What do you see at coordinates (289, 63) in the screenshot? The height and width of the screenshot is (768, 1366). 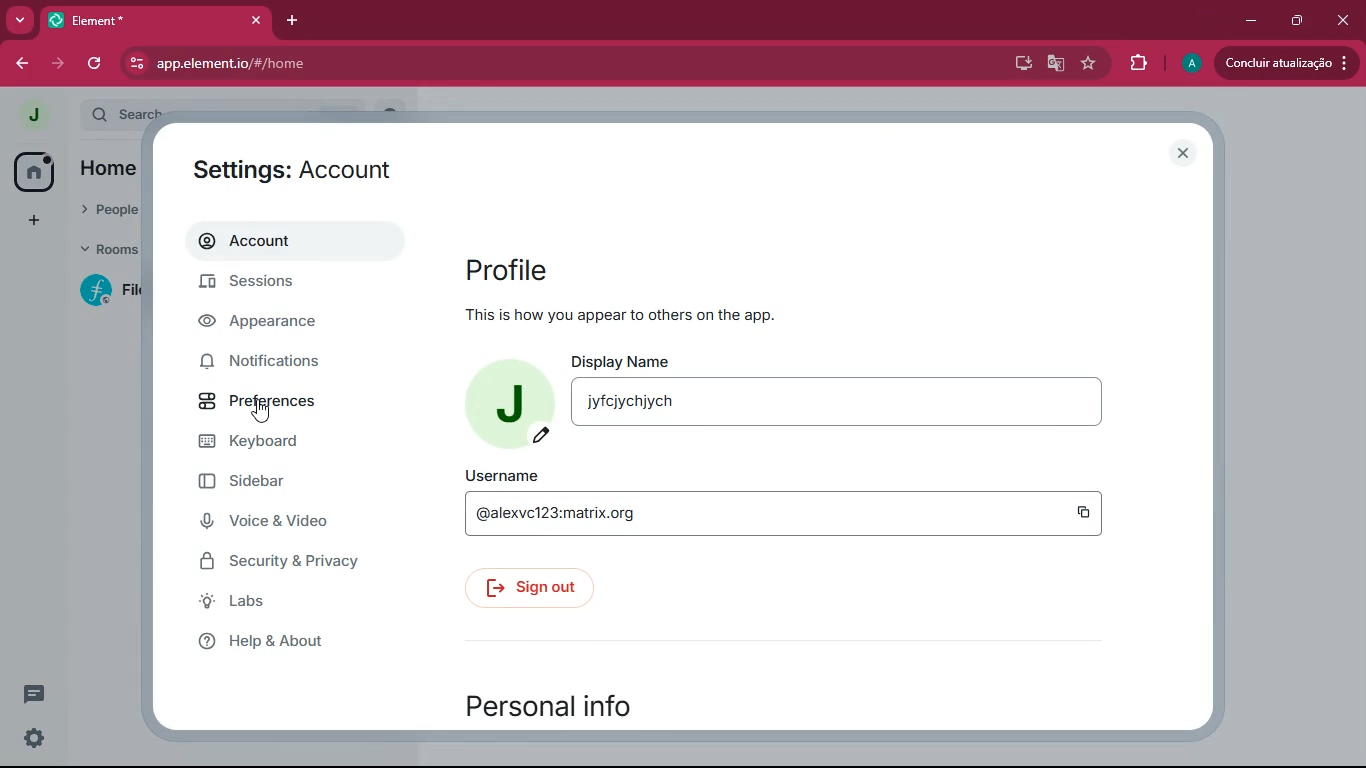 I see `app.element.io/#/home` at bounding box center [289, 63].